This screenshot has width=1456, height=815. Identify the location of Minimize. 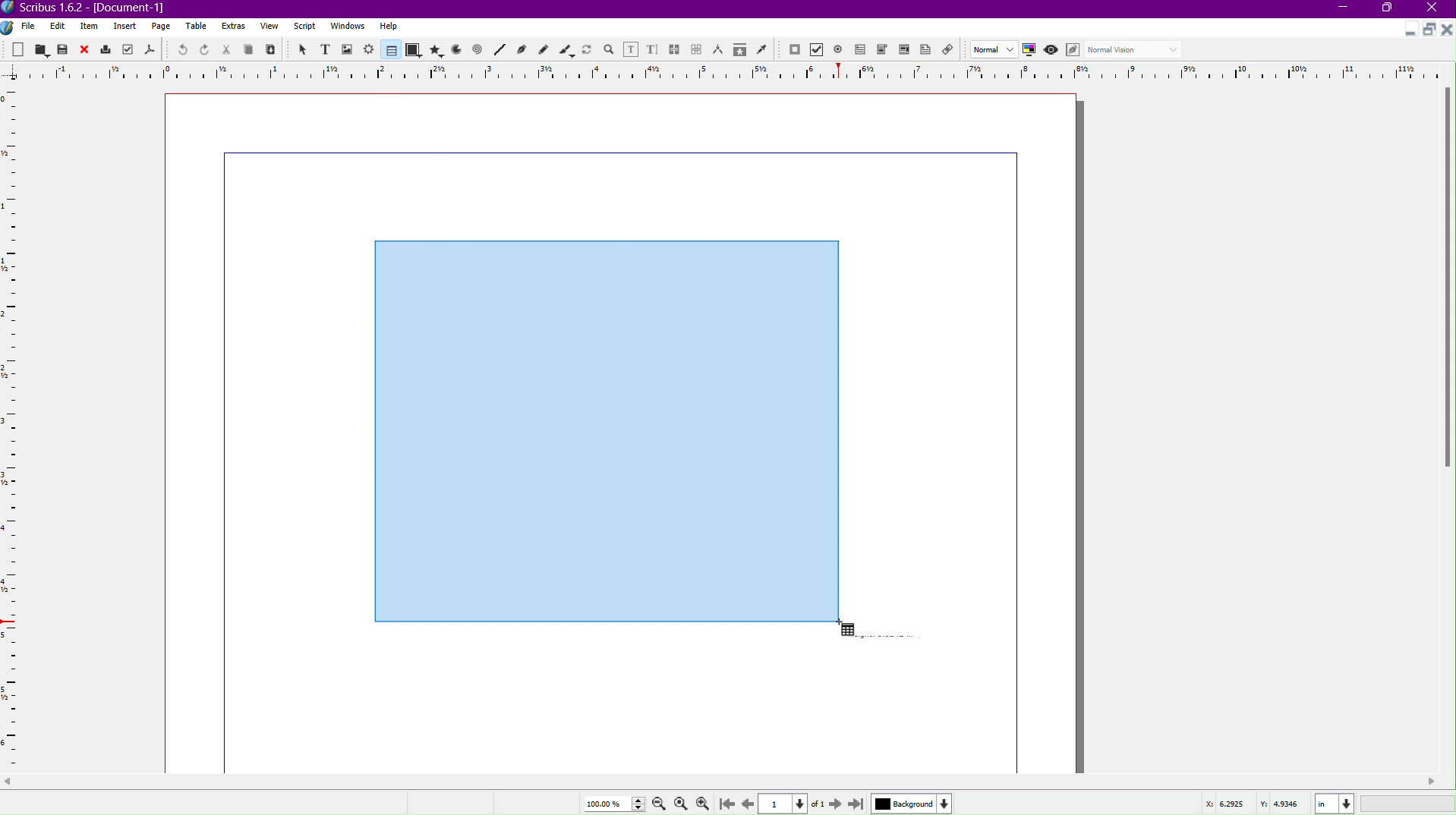
(1344, 9).